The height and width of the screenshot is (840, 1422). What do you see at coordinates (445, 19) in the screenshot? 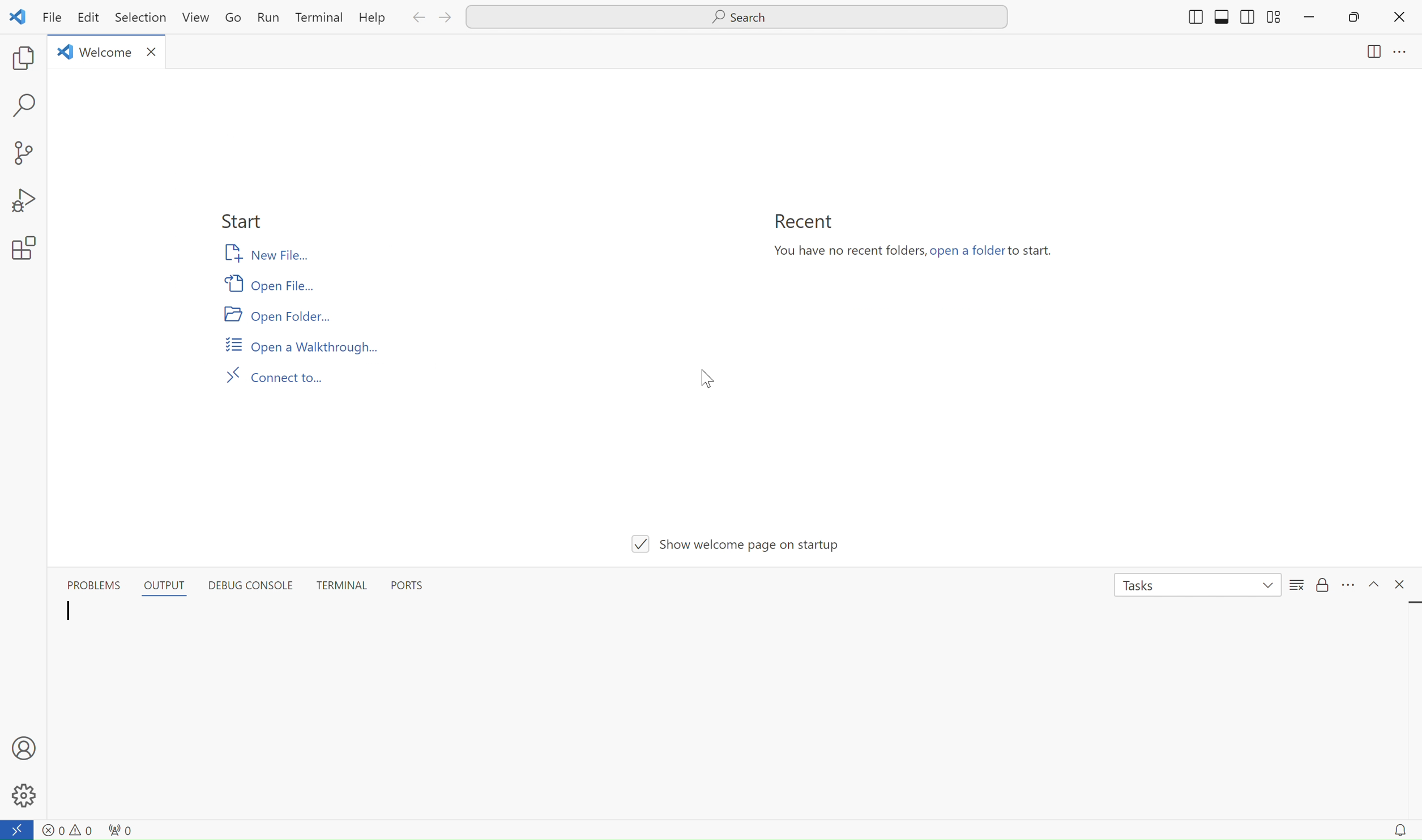
I see `forward` at bounding box center [445, 19].